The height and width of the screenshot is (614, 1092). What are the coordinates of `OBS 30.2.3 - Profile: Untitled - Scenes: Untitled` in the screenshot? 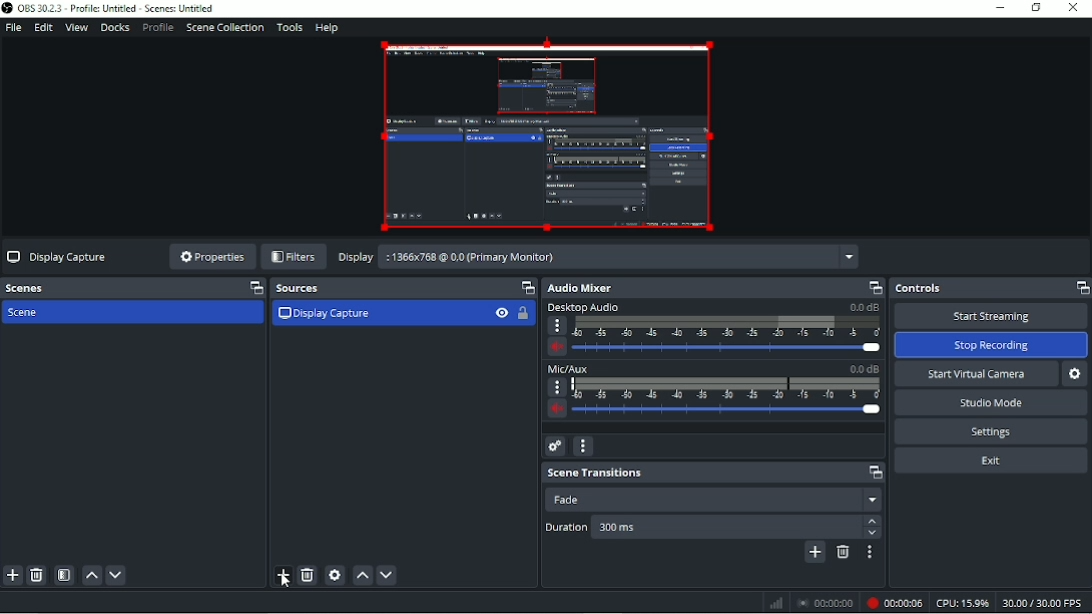 It's located at (116, 8).